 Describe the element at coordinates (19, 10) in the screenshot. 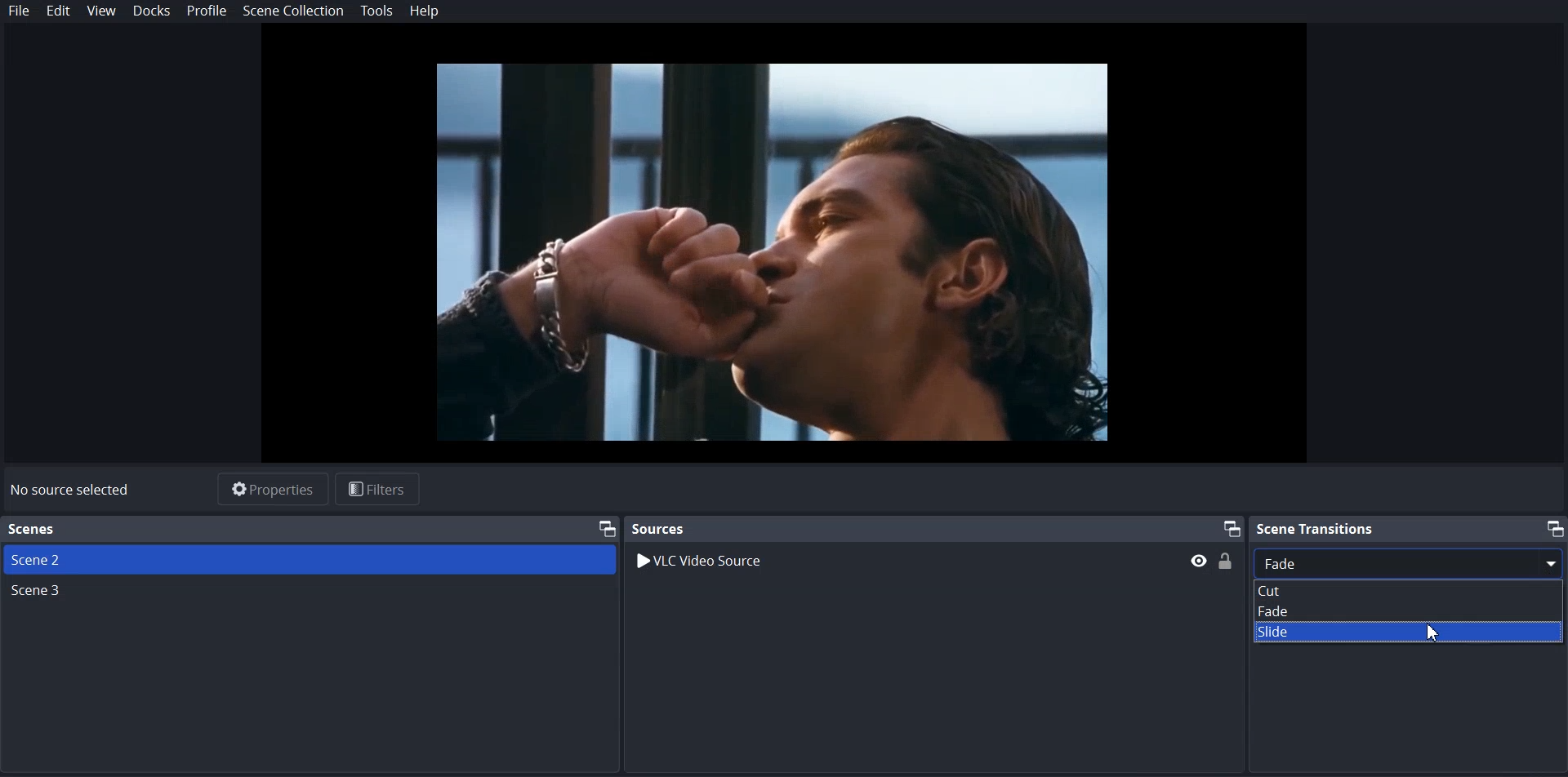

I see `File` at that location.